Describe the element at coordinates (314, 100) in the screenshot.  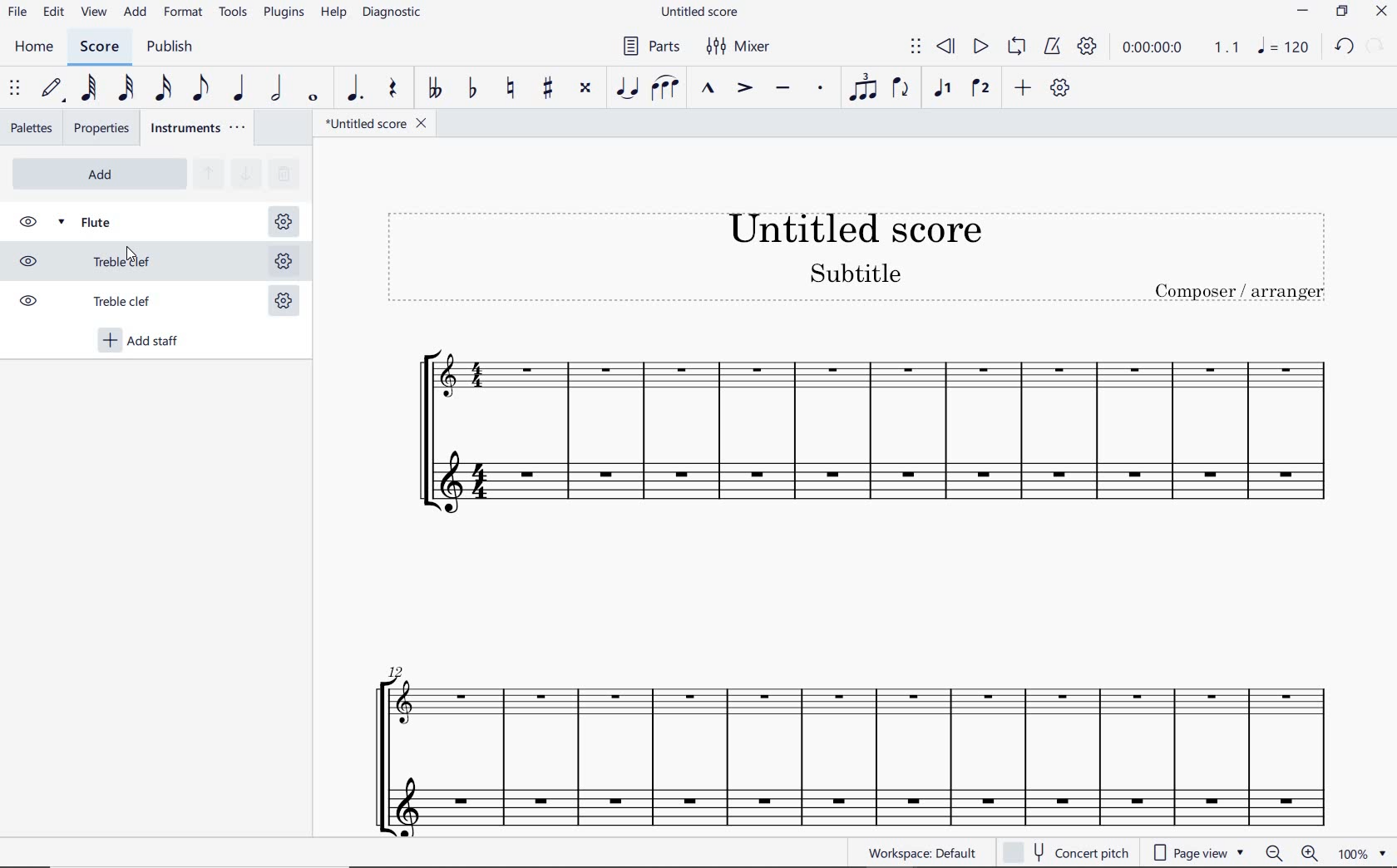
I see `WHOLE NOTE` at that location.